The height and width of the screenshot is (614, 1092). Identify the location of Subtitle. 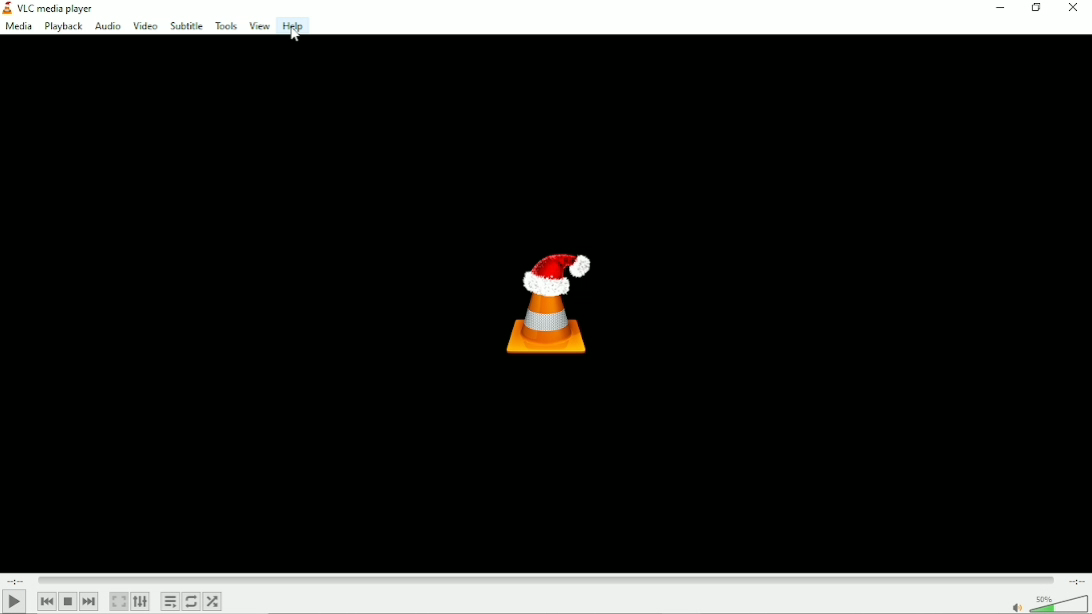
(186, 25).